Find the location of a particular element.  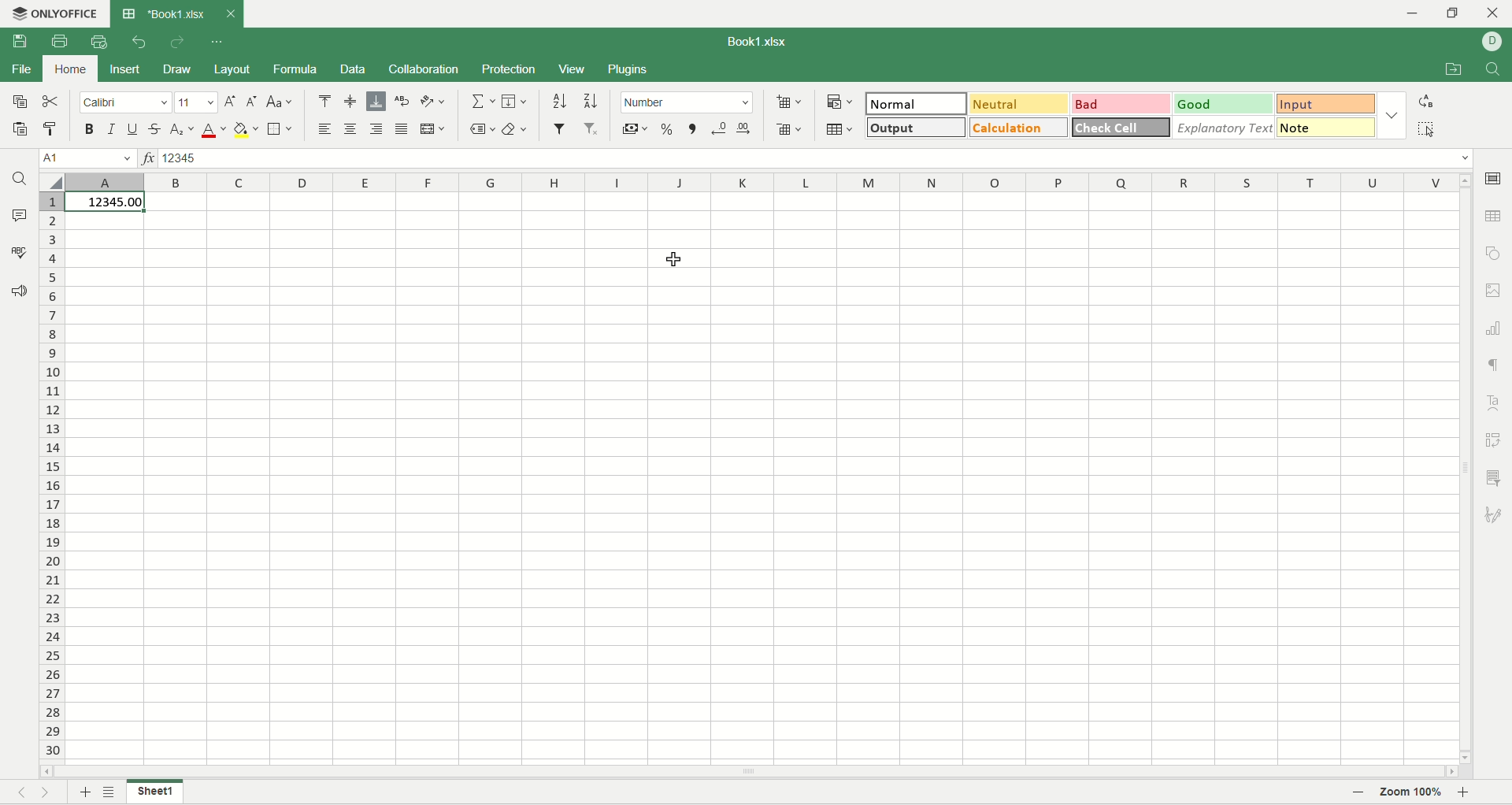

summation is located at coordinates (484, 102).